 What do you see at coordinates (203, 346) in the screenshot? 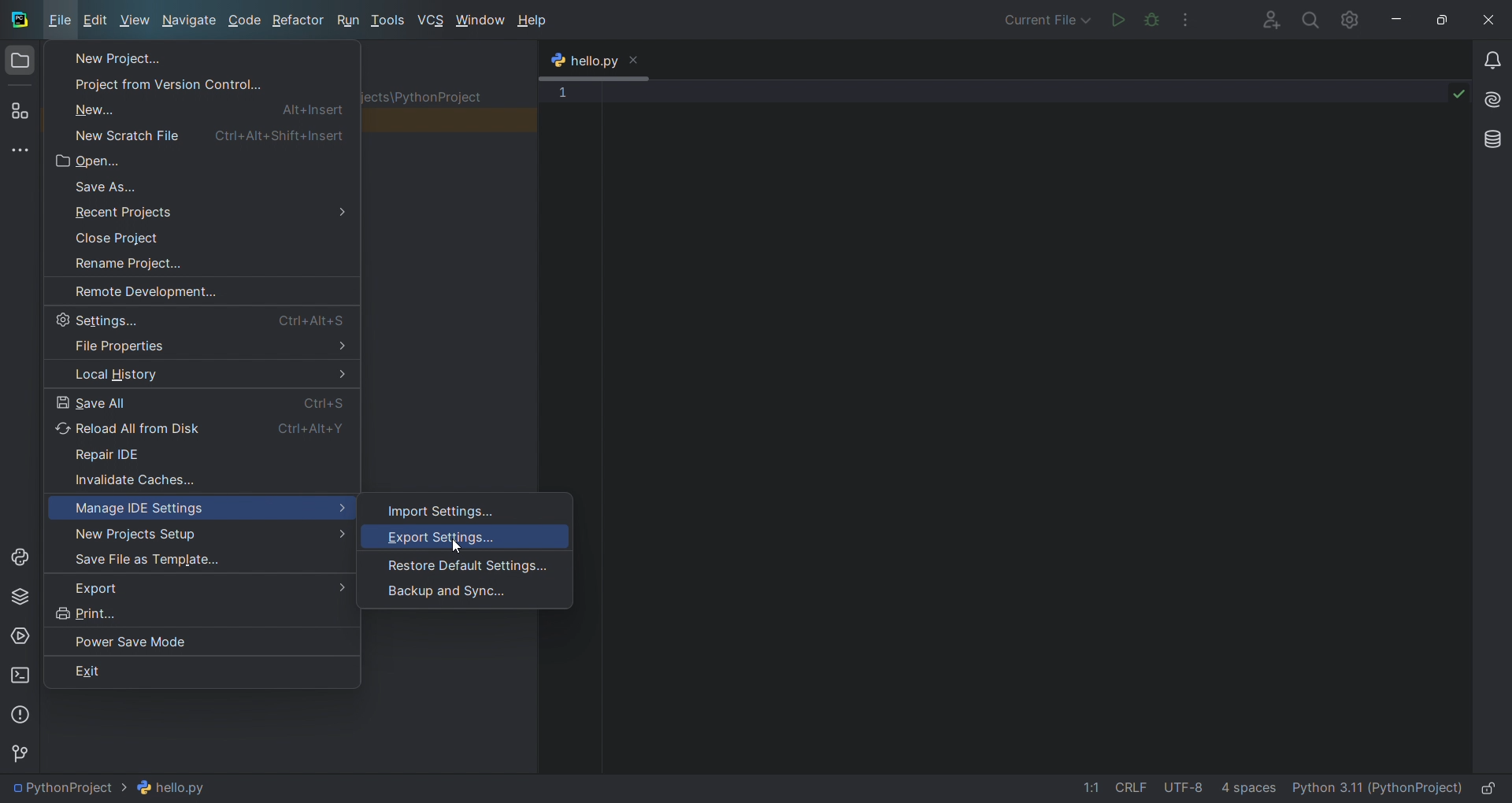
I see `properties` at bounding box center [203, 346].